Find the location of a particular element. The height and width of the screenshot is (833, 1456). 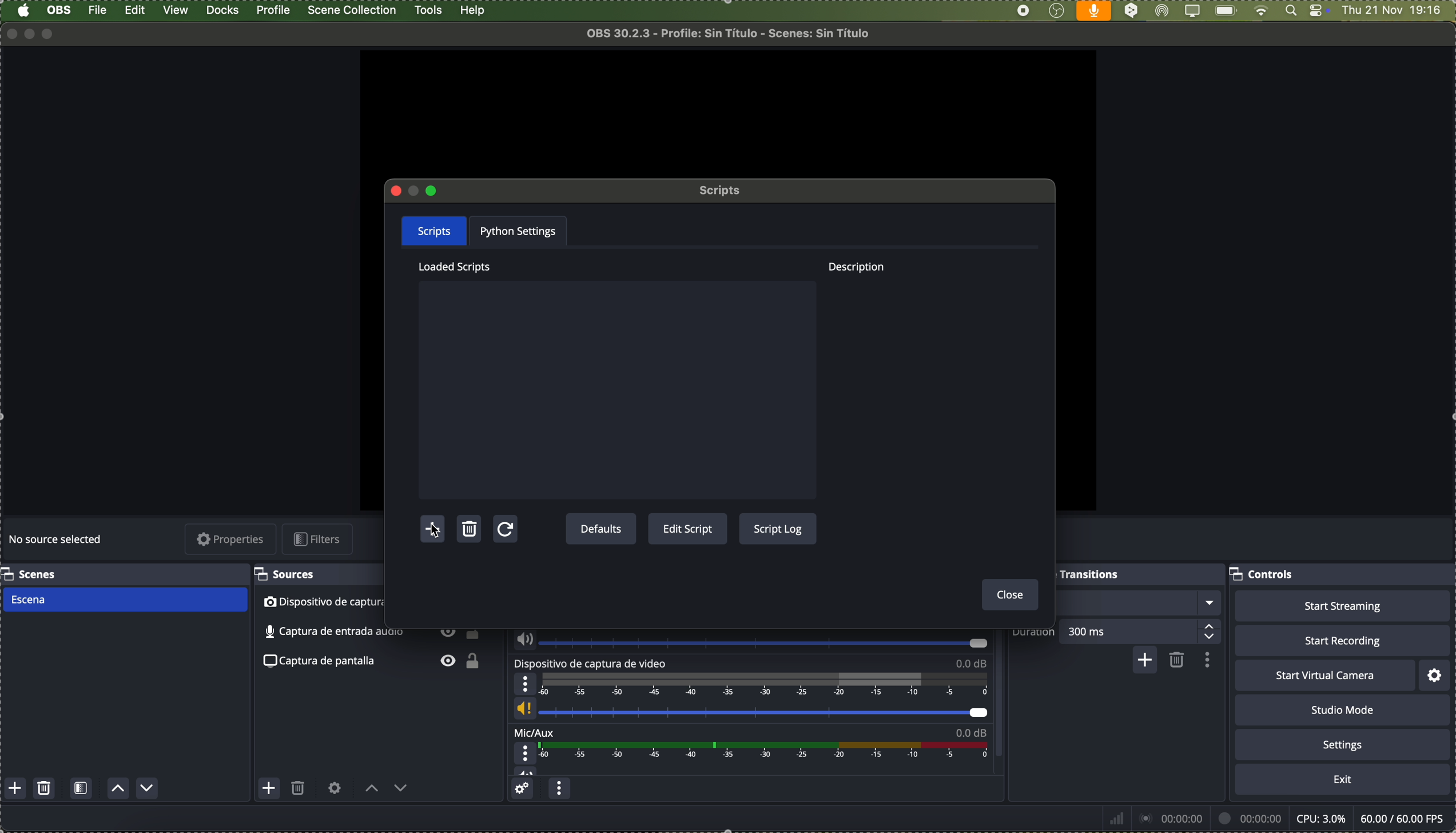

docks is located at coordinates (223, 11).